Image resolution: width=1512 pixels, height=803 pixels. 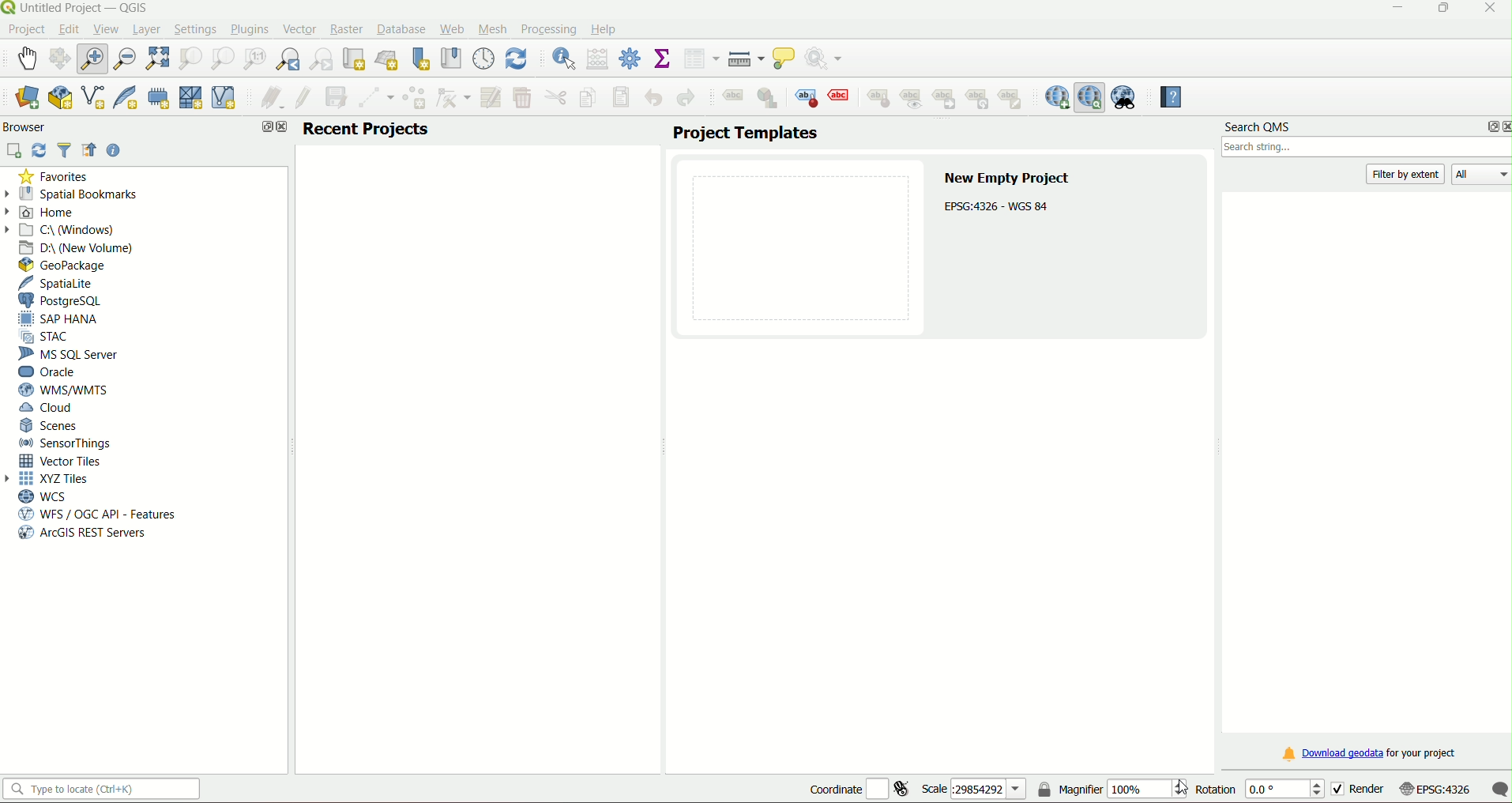 What do you see at coordinates (421, 58) in the screenshot?
I see `new spatial bookmark` at bounding box center [421, 58].